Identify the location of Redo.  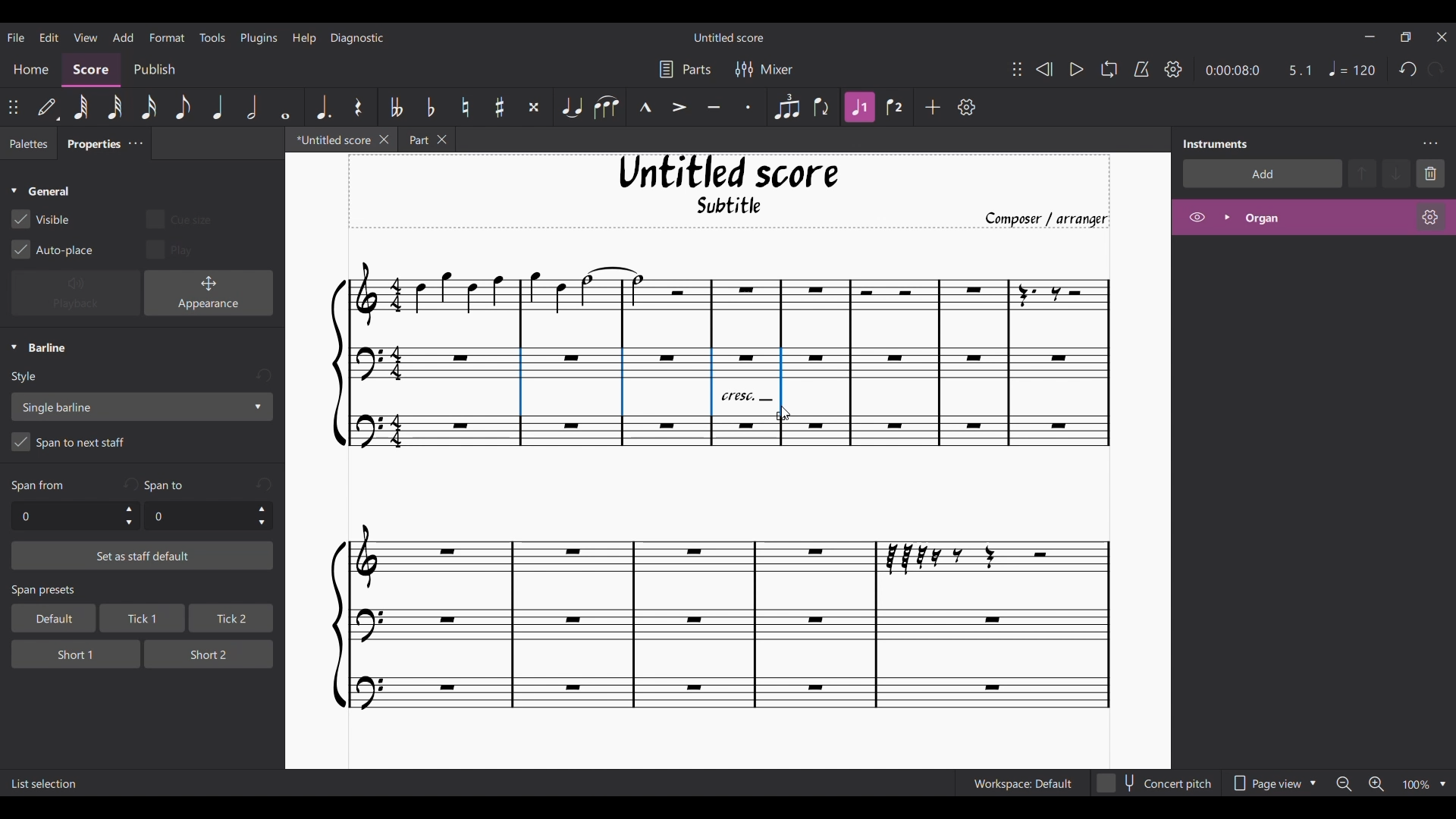
(1436, 69).